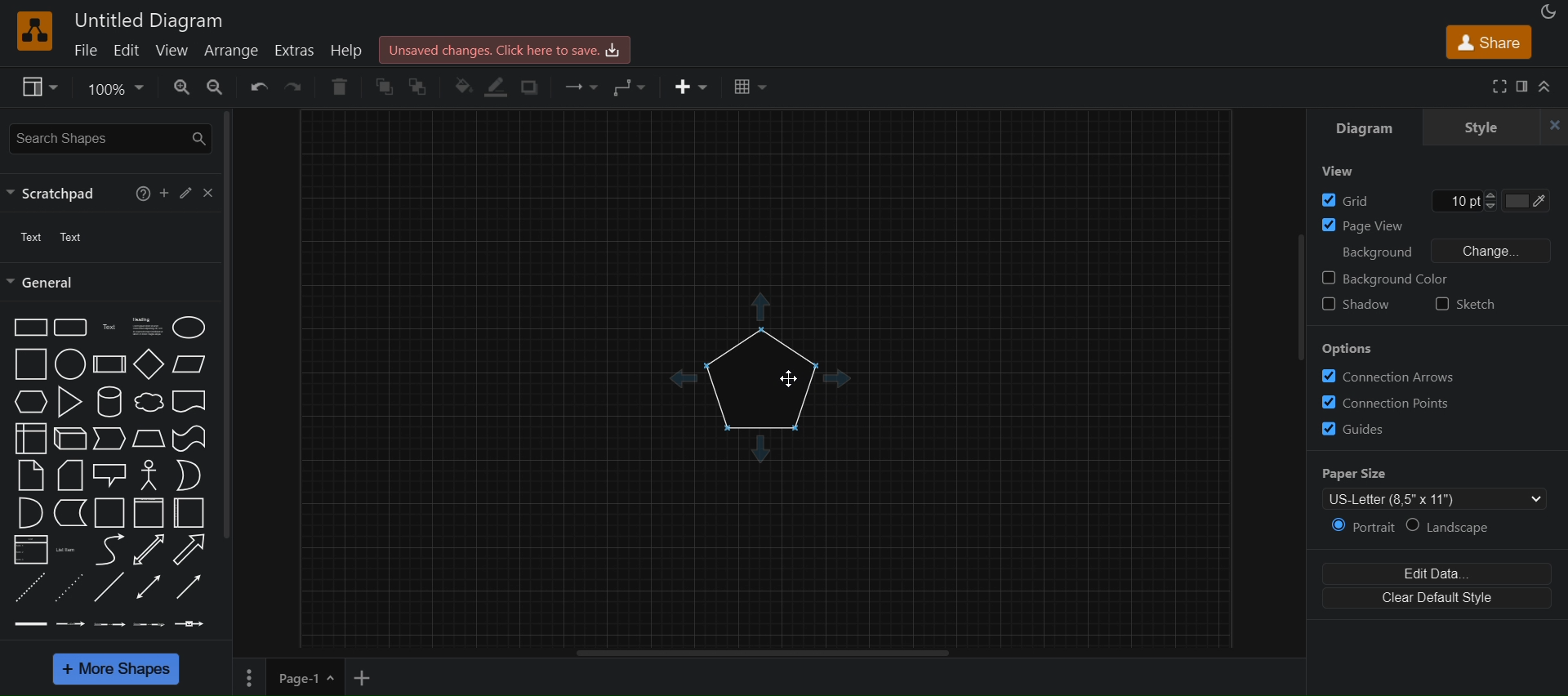 The image size is (1568, 696). What do you see at coordinates (110, 550) in the screenshot?
I see `Curve` at bounding box center [110, 550].